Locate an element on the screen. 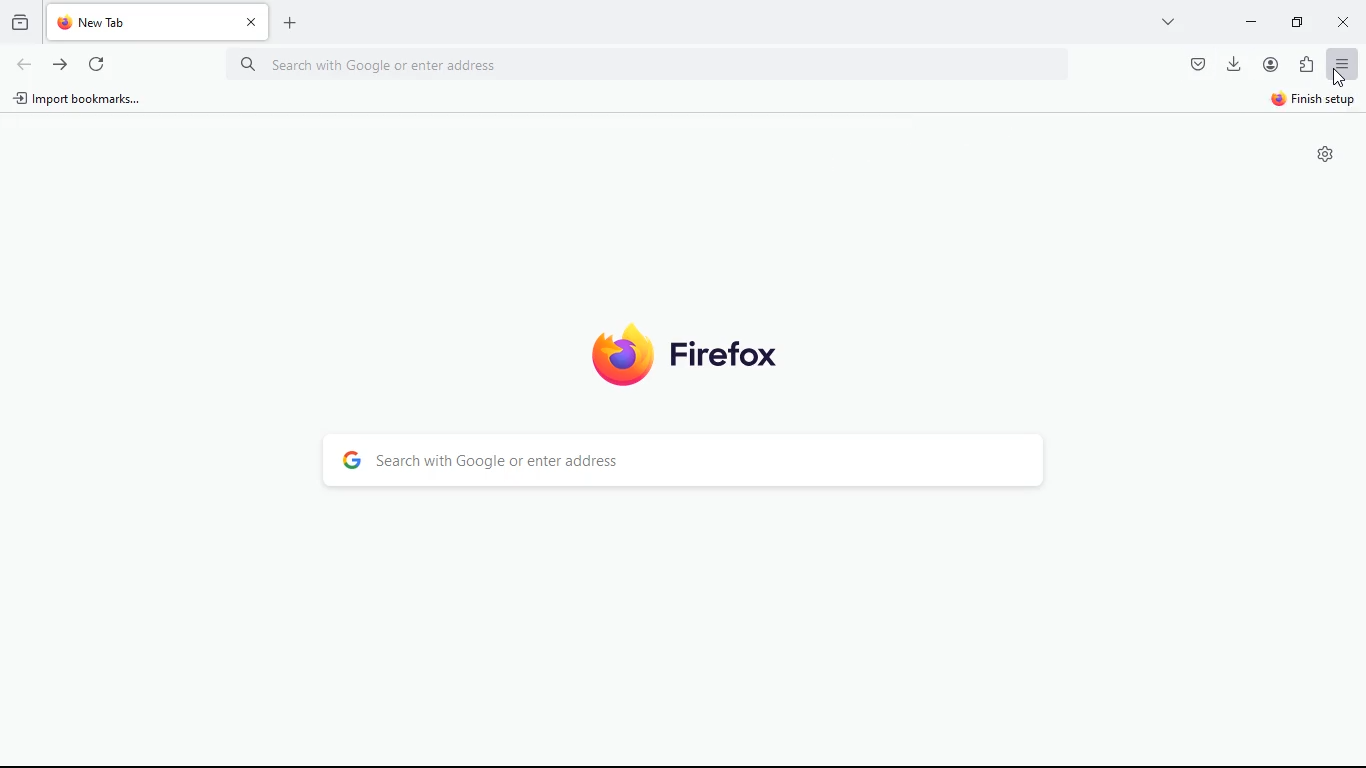 The width and height of the screenshot is (1366, 768). historic is located at coordinates (23, 21).